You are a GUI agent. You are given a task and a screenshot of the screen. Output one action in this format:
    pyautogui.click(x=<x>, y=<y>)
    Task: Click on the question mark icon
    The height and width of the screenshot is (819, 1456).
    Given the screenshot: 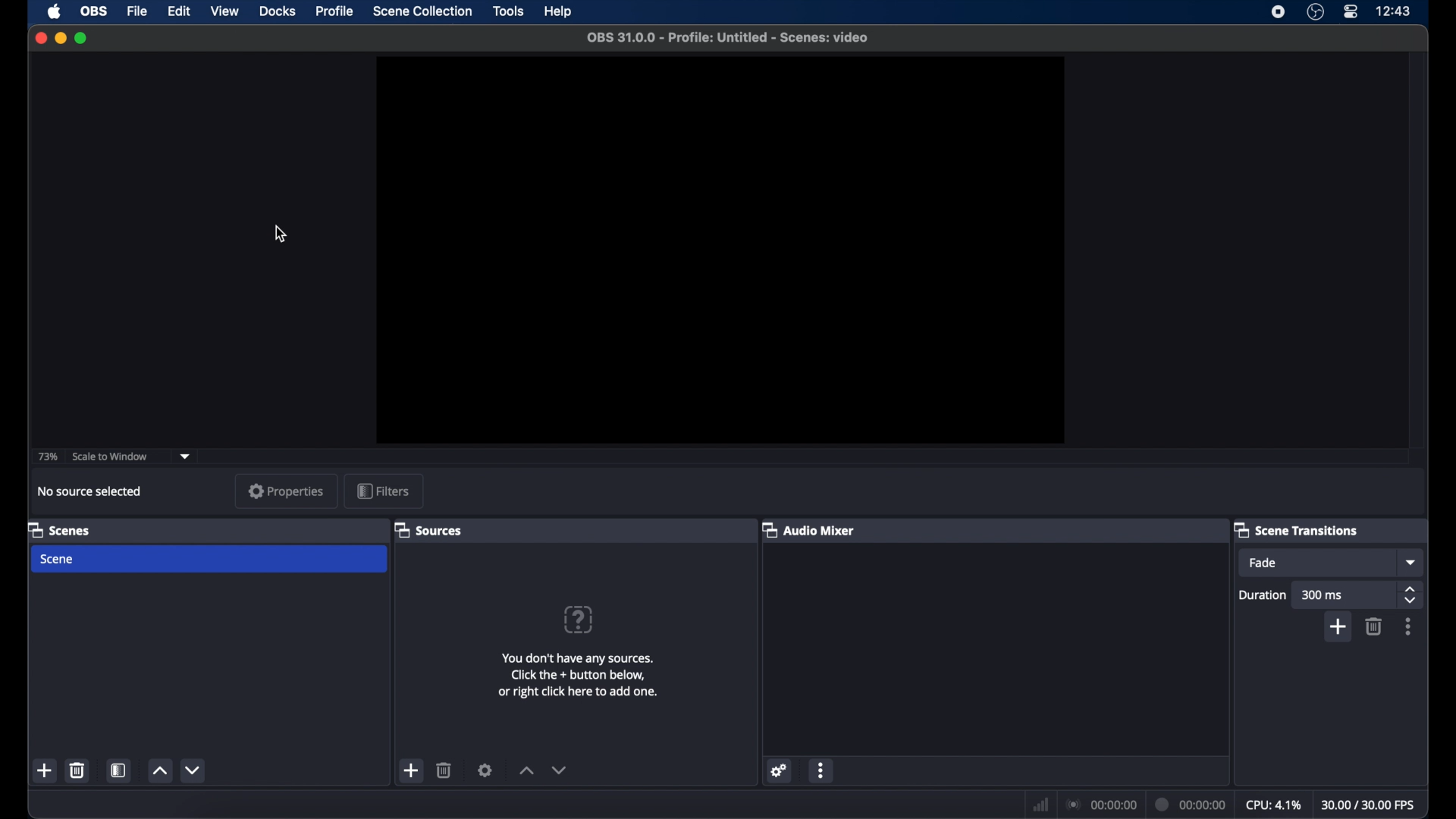 What is the action you would take?
    pyautogui.click(x=581, y=619)
    